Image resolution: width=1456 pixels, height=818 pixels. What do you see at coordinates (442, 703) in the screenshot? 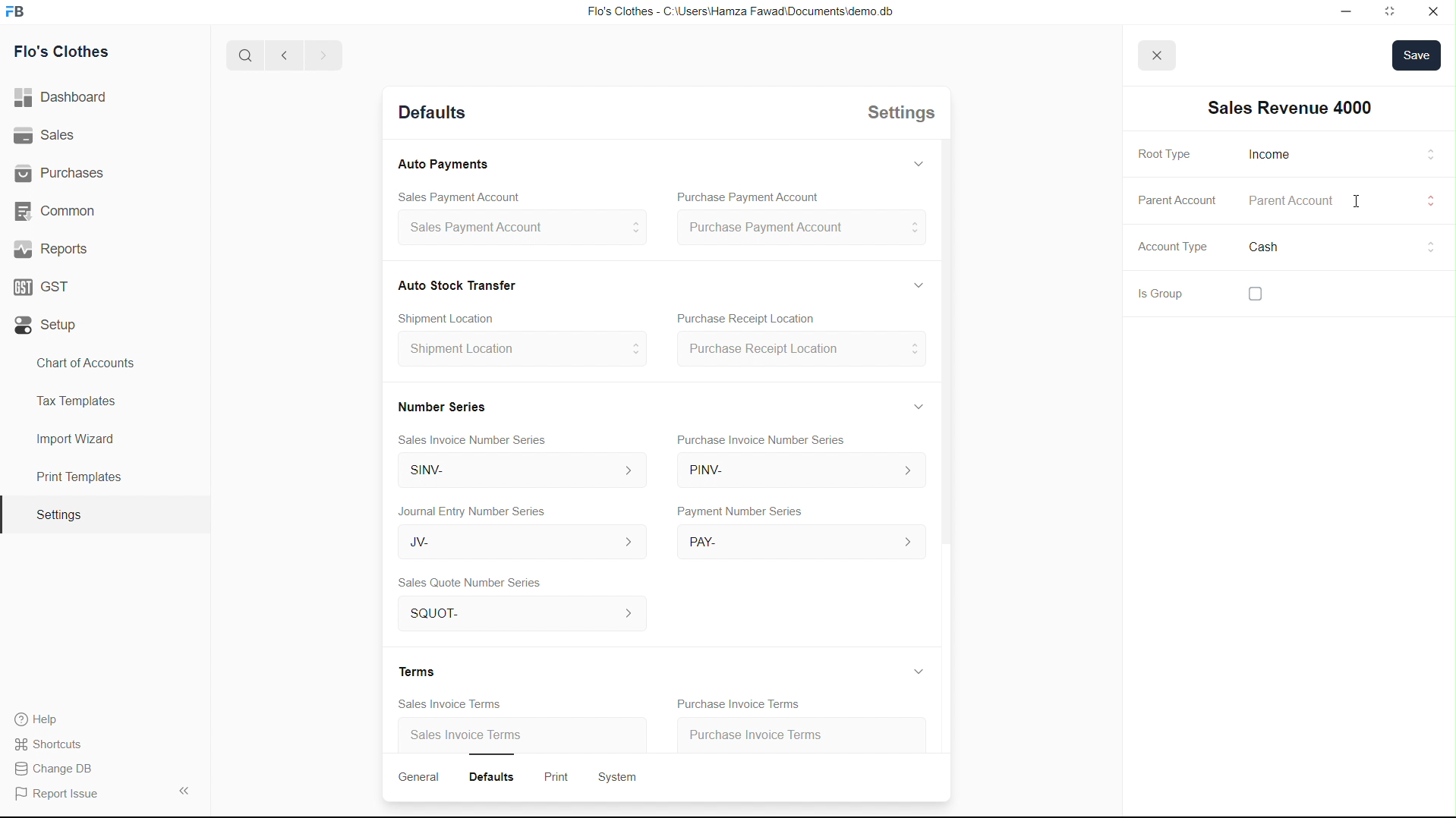
I see `Sales Invoice Terms` at bounding box center [442, 703].